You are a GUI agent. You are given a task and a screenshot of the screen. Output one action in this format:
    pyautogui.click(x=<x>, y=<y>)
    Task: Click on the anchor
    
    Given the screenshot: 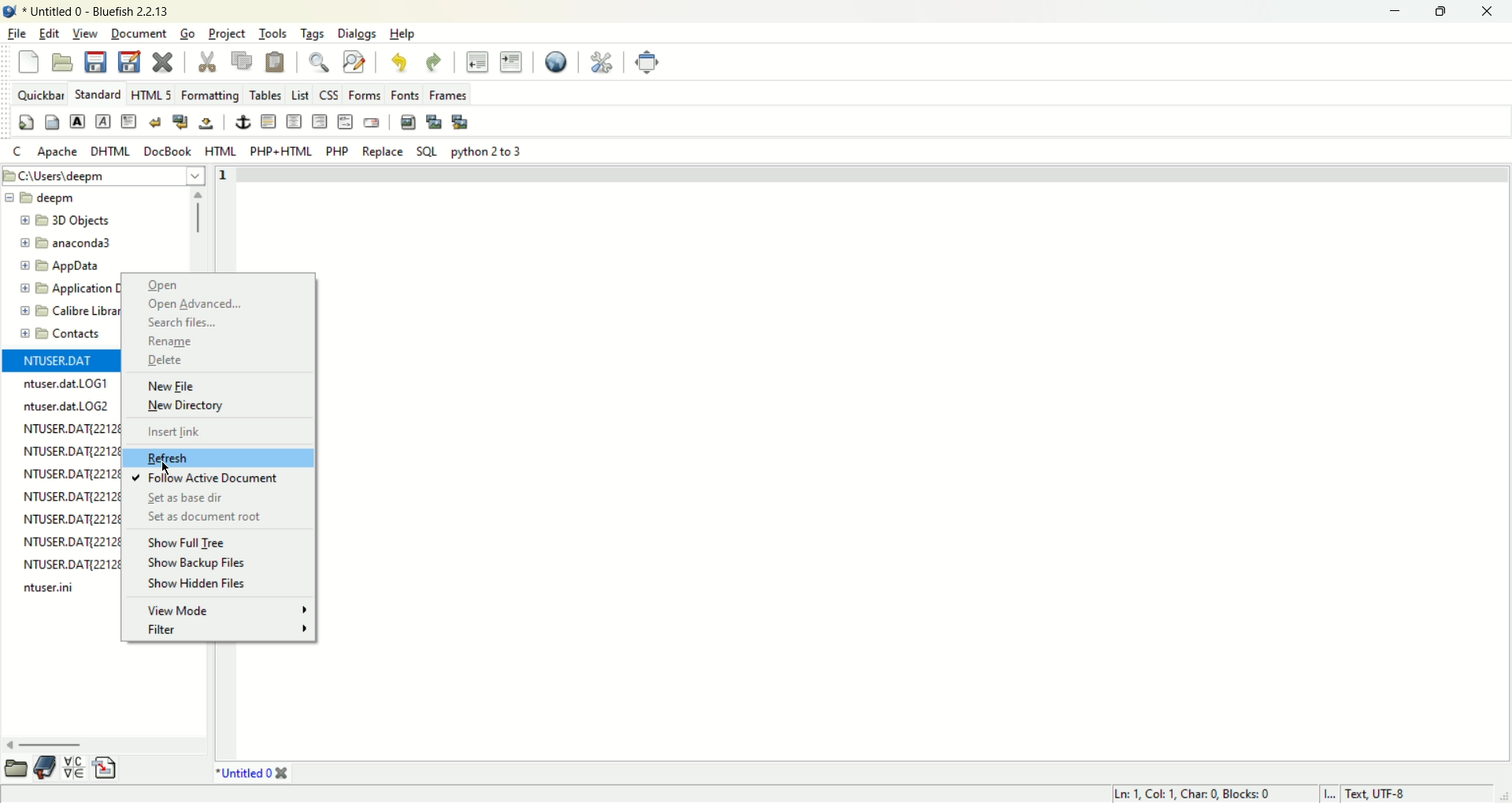 What is the action you would take?
    pyautogui.click(x=243, y=122)
    